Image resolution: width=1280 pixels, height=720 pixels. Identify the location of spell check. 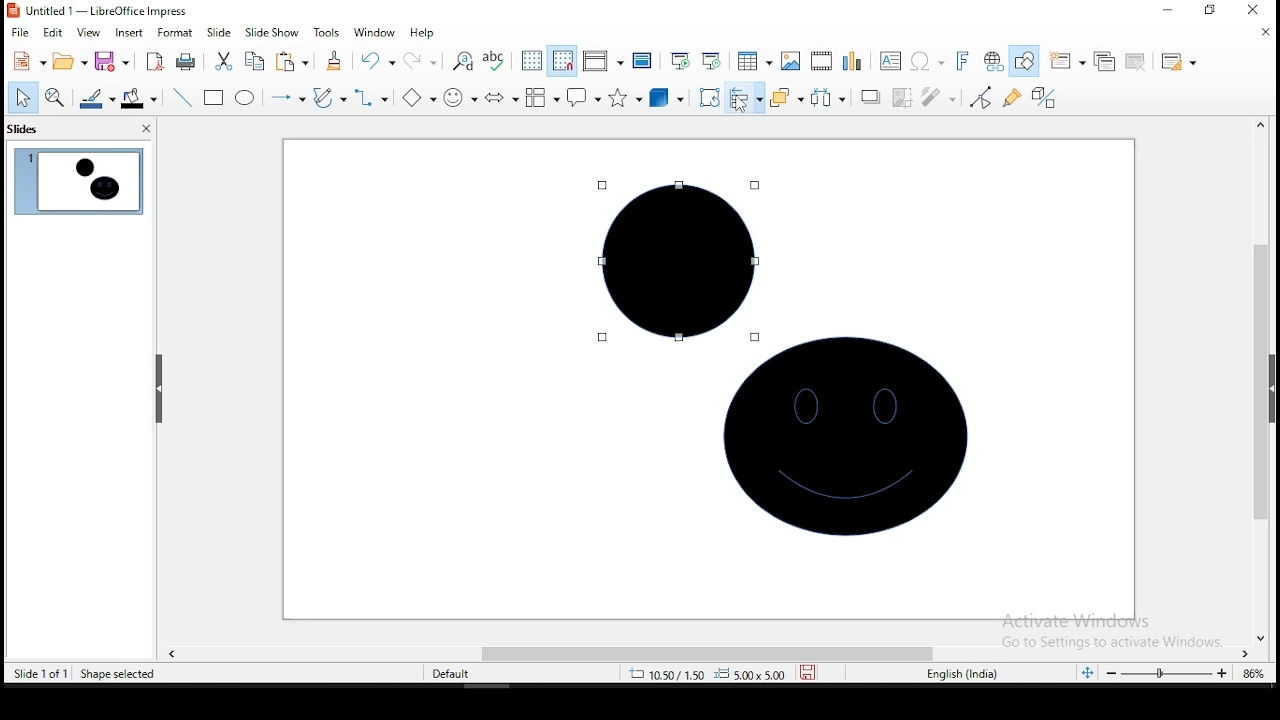
(499, 61).